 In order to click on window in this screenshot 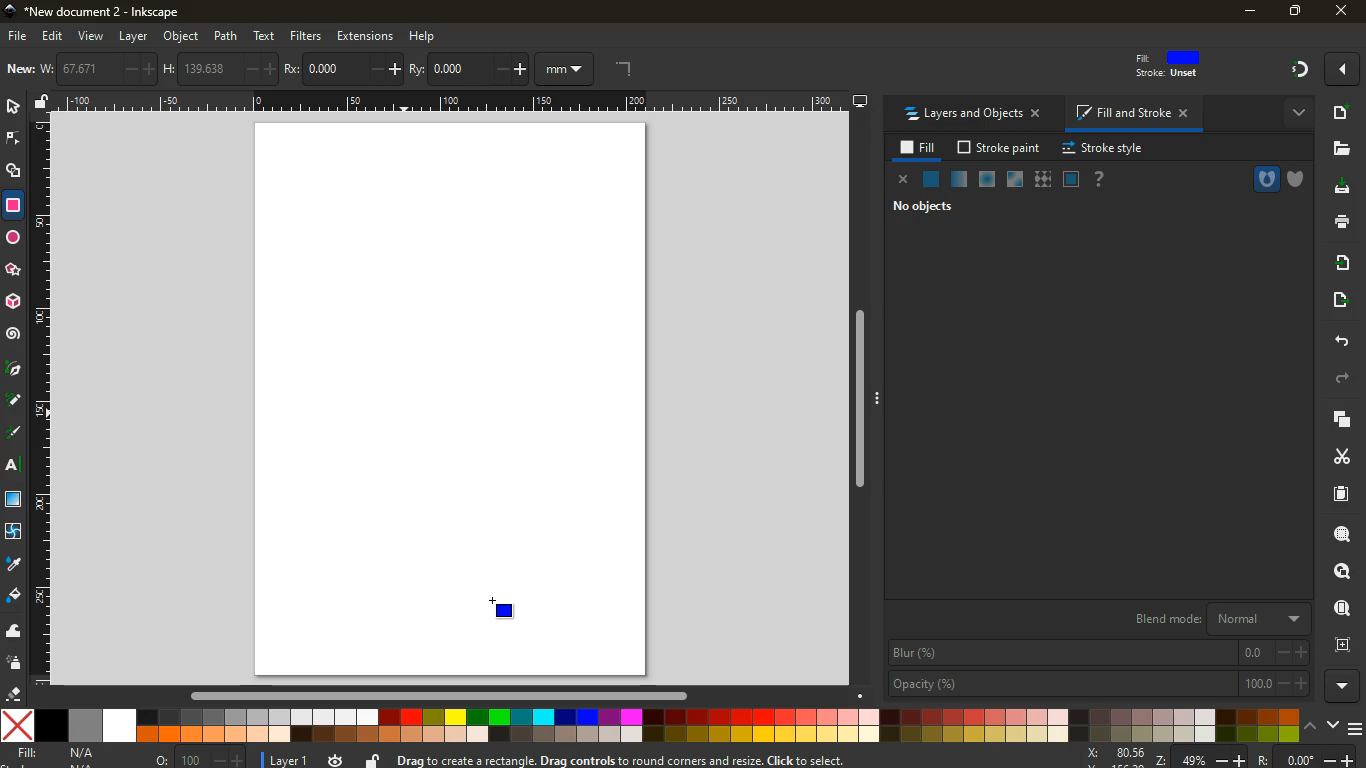, I will do `click(1014, 179)`.